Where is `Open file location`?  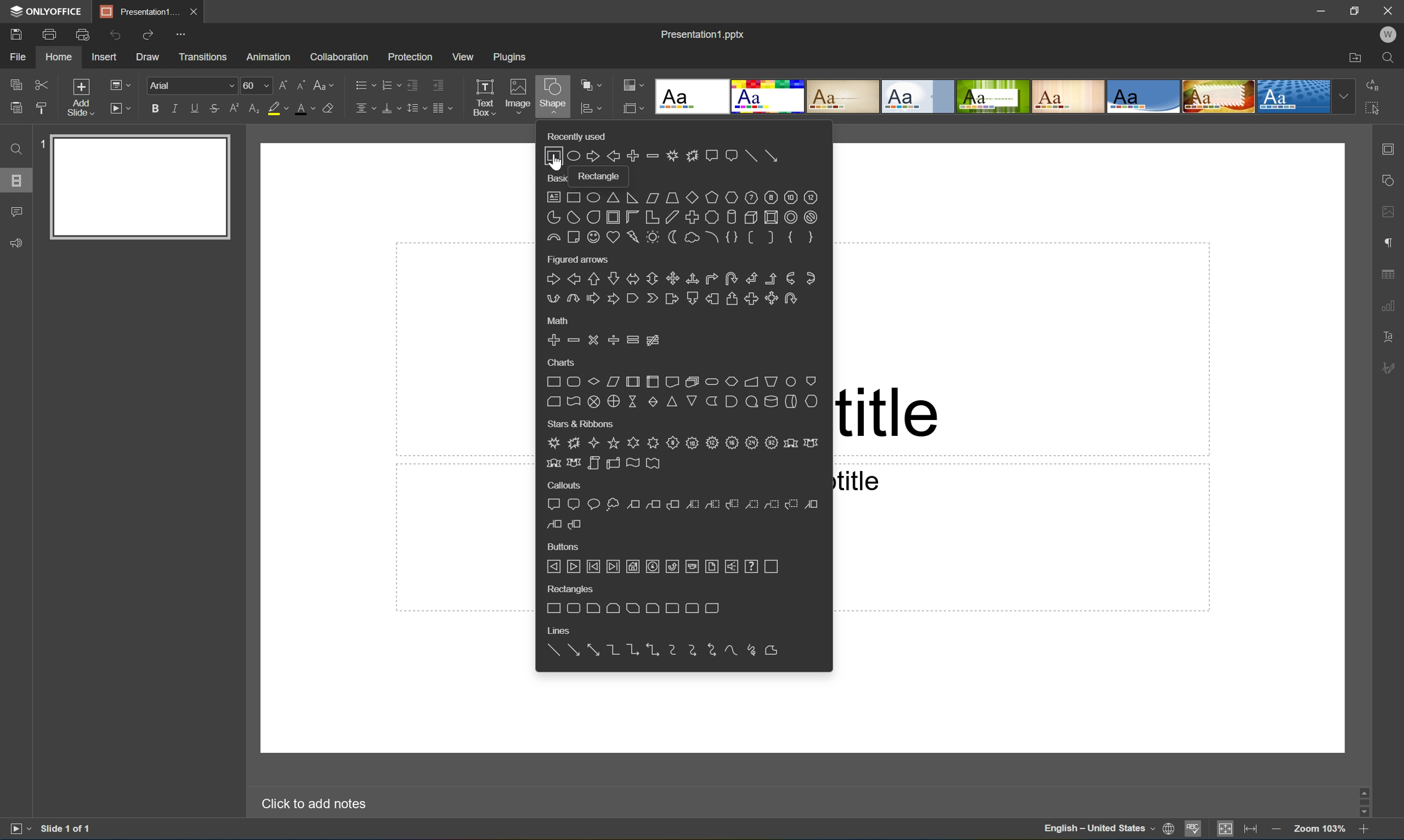 Open file location is located at coordinates (1354, 58).